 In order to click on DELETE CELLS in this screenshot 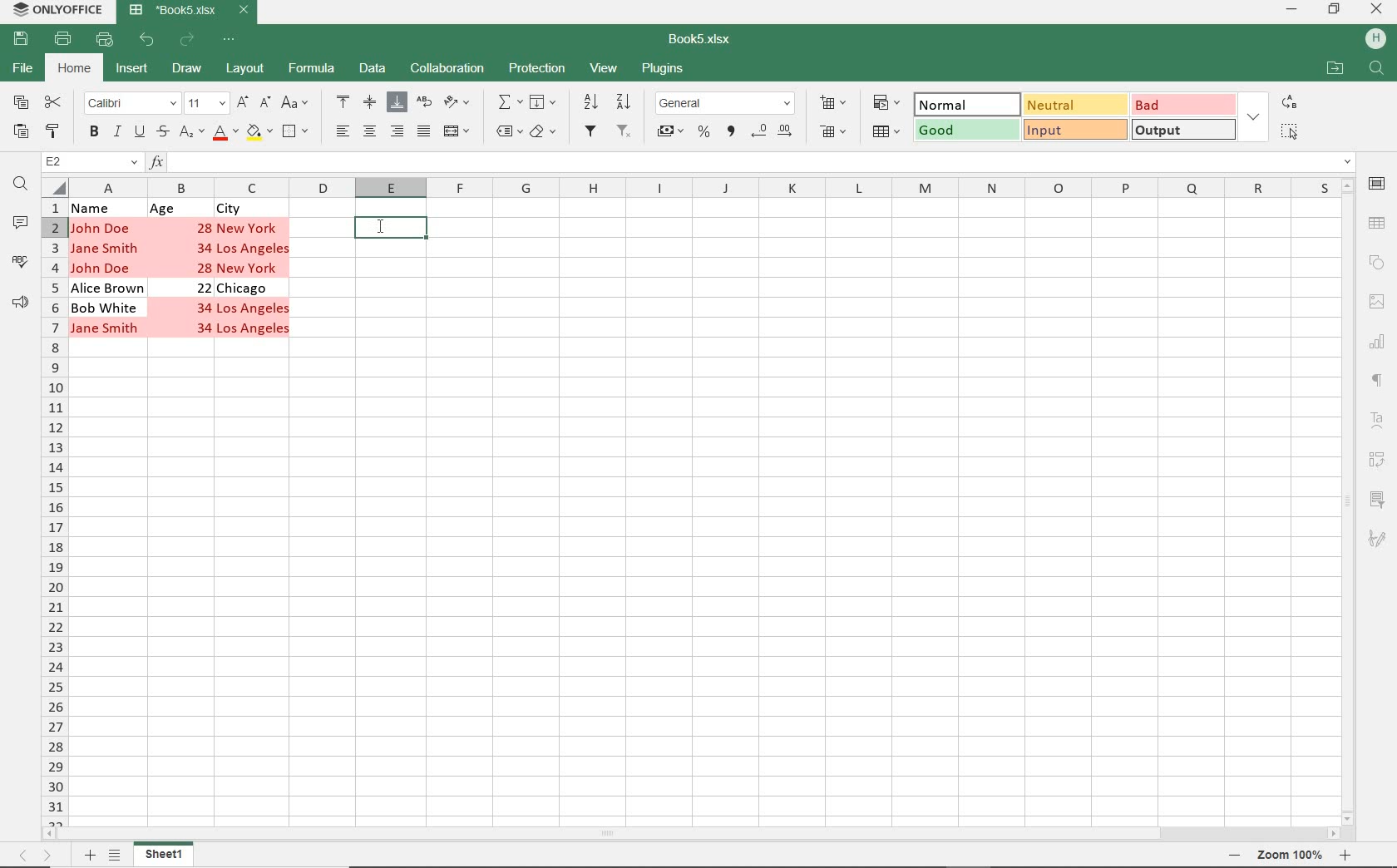, I will do `click(836, 133)`.